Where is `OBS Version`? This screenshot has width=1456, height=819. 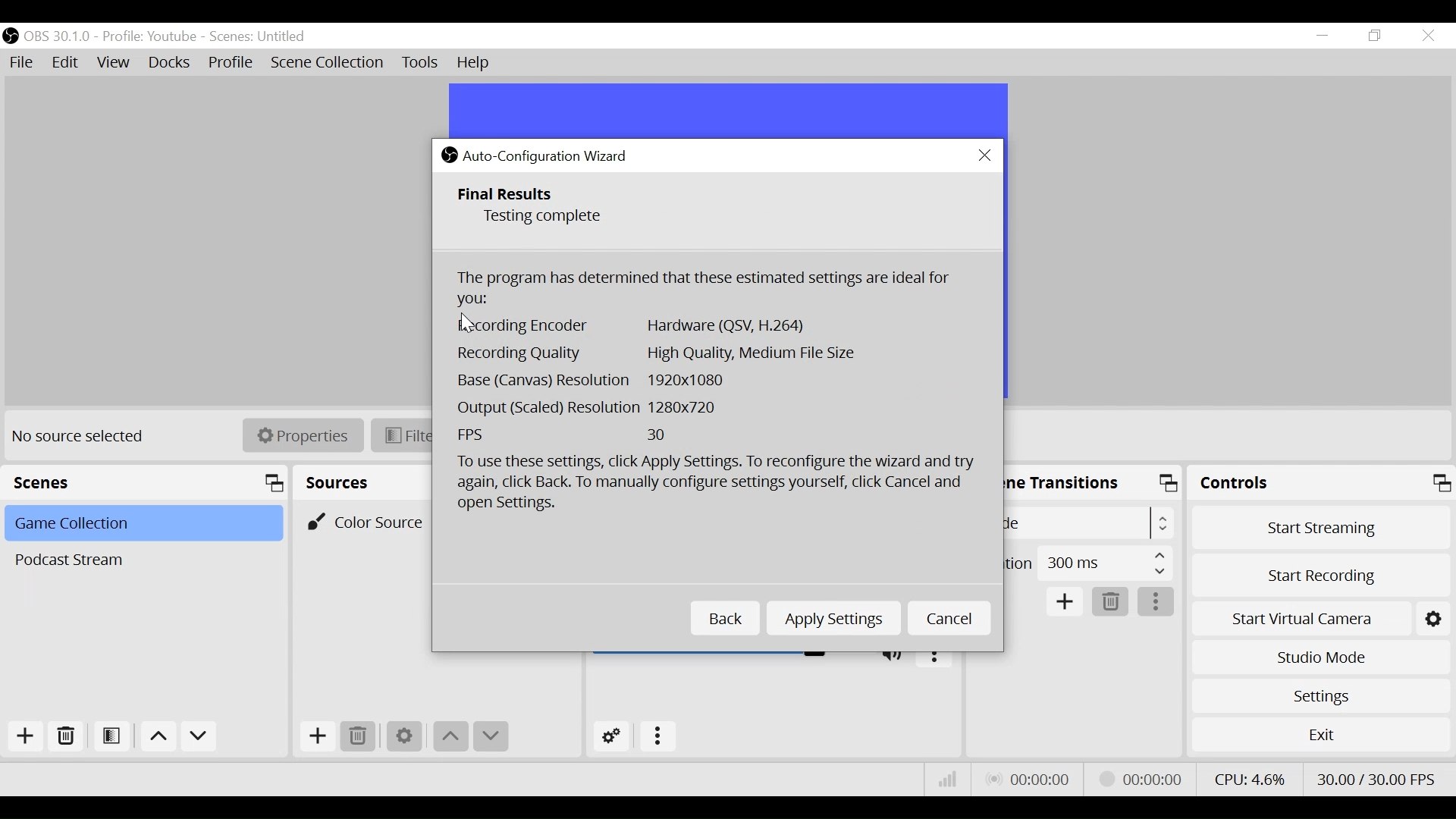 OBS Version is located at coordinates (58, 37).